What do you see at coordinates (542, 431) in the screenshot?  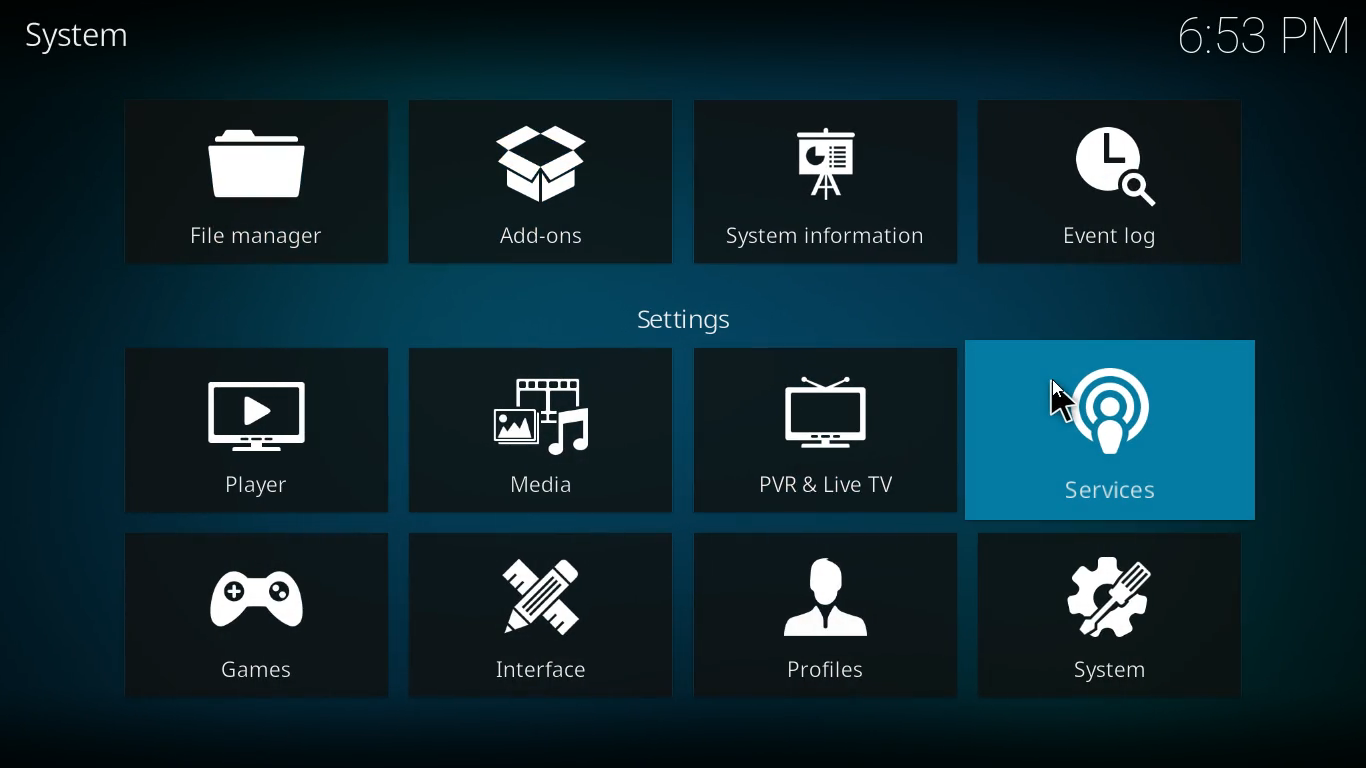 I see `media` at bounding box center [542, 431].